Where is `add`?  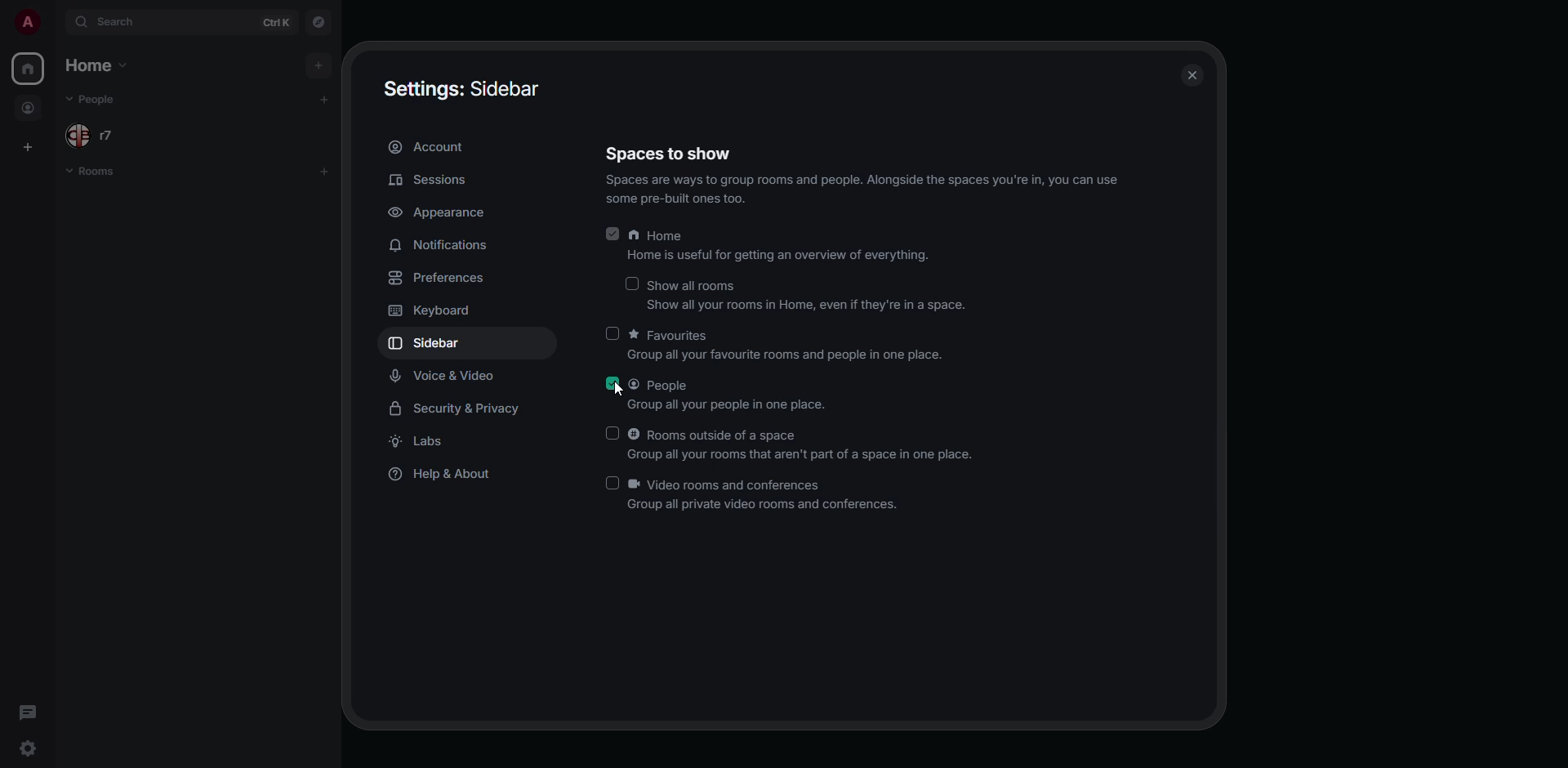
add is located at coordinates (321, 63).